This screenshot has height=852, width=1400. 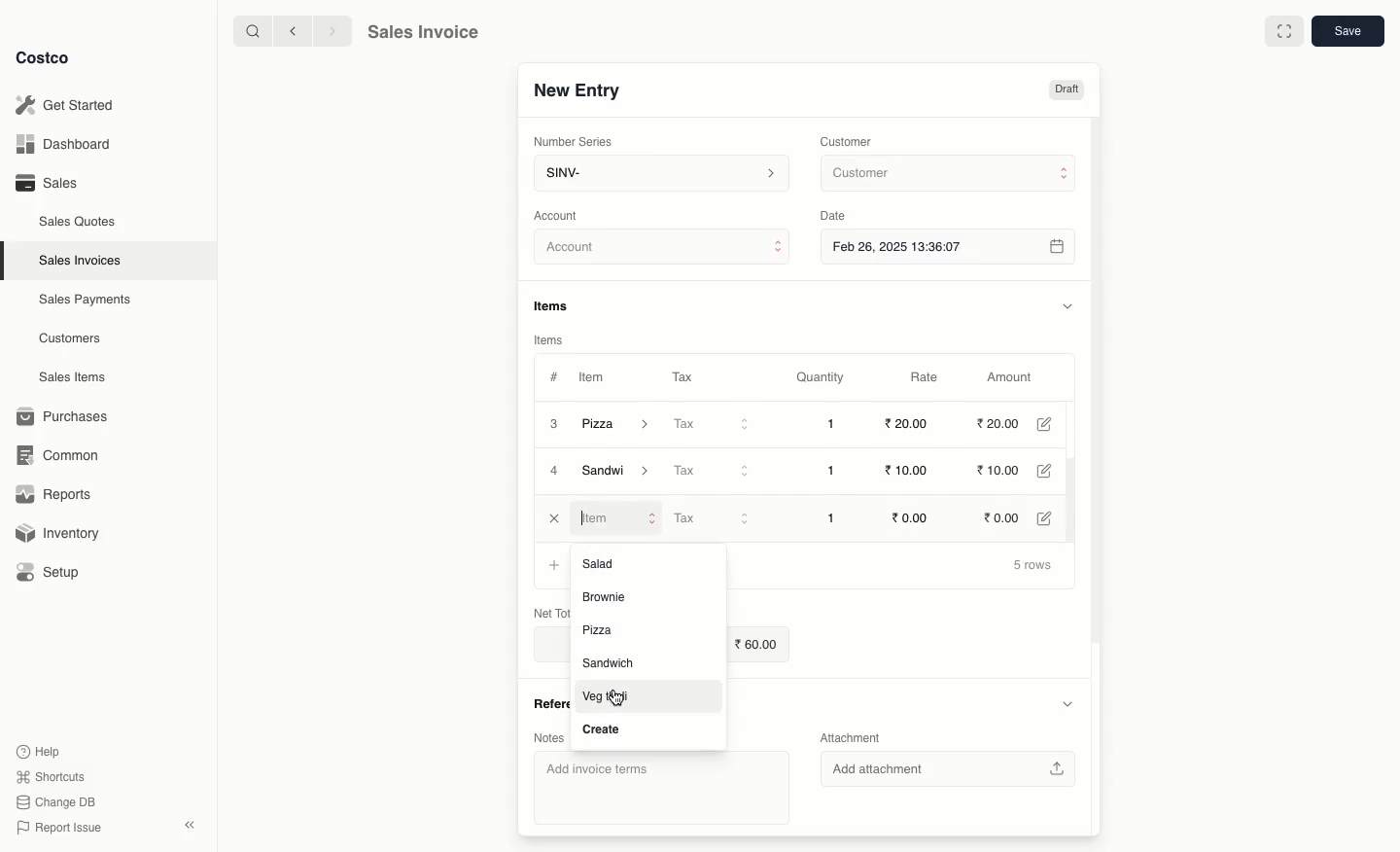 I want to click on Report Issue, so click(x=55, y=828).